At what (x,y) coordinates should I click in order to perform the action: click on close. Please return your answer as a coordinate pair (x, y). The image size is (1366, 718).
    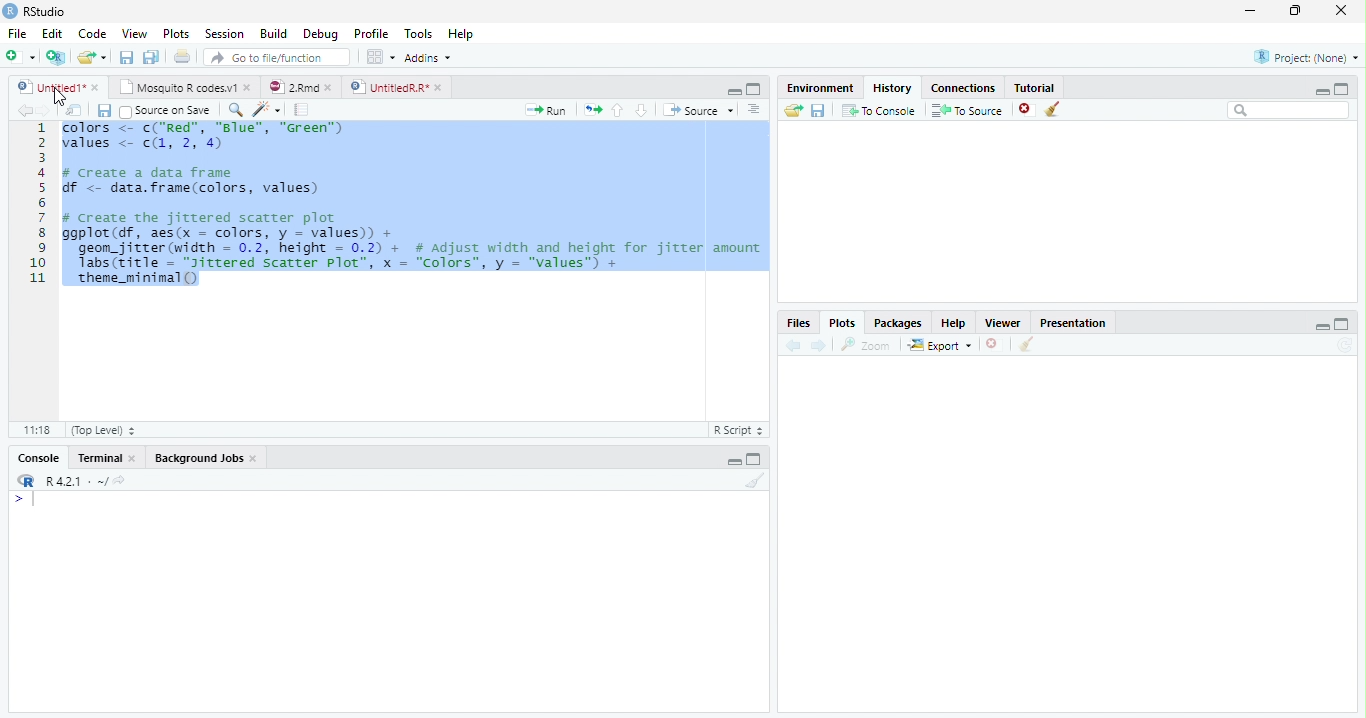
    Looking at the image, I should click on (328, 88).